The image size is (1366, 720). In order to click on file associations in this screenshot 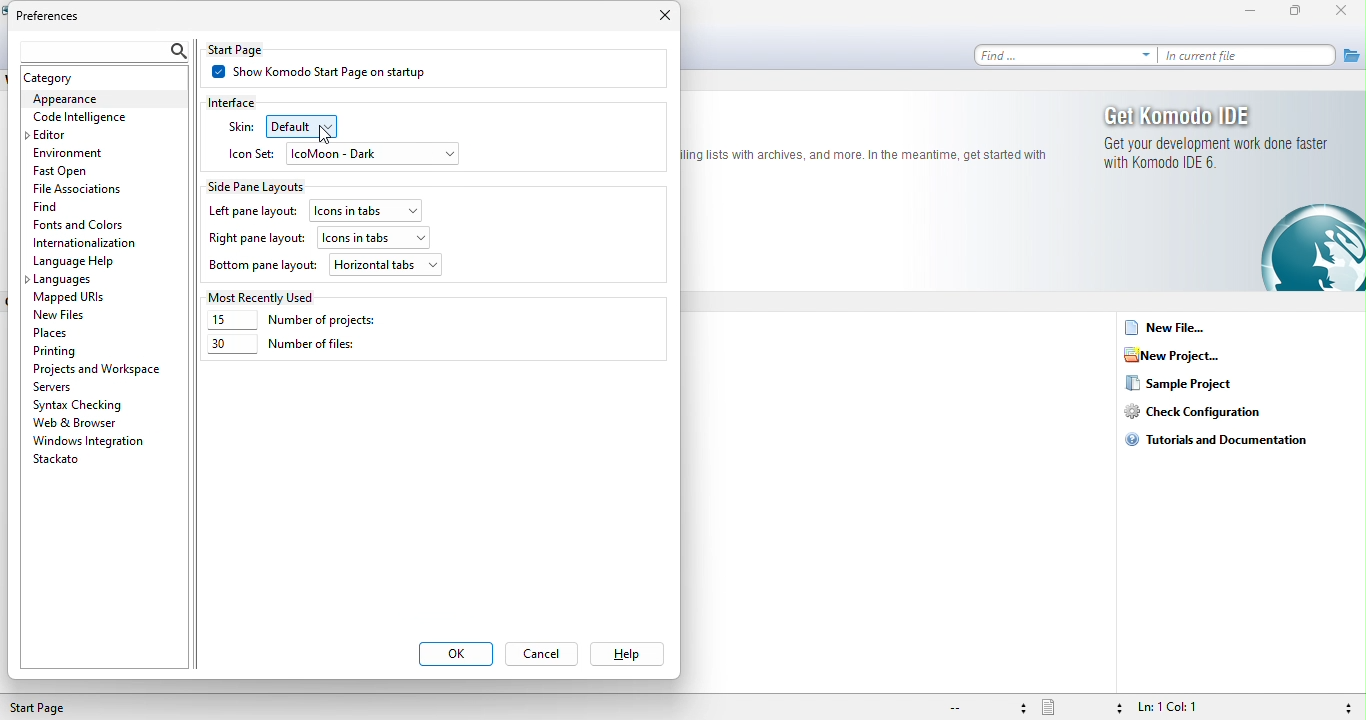, I will do `click(81, 189)`.